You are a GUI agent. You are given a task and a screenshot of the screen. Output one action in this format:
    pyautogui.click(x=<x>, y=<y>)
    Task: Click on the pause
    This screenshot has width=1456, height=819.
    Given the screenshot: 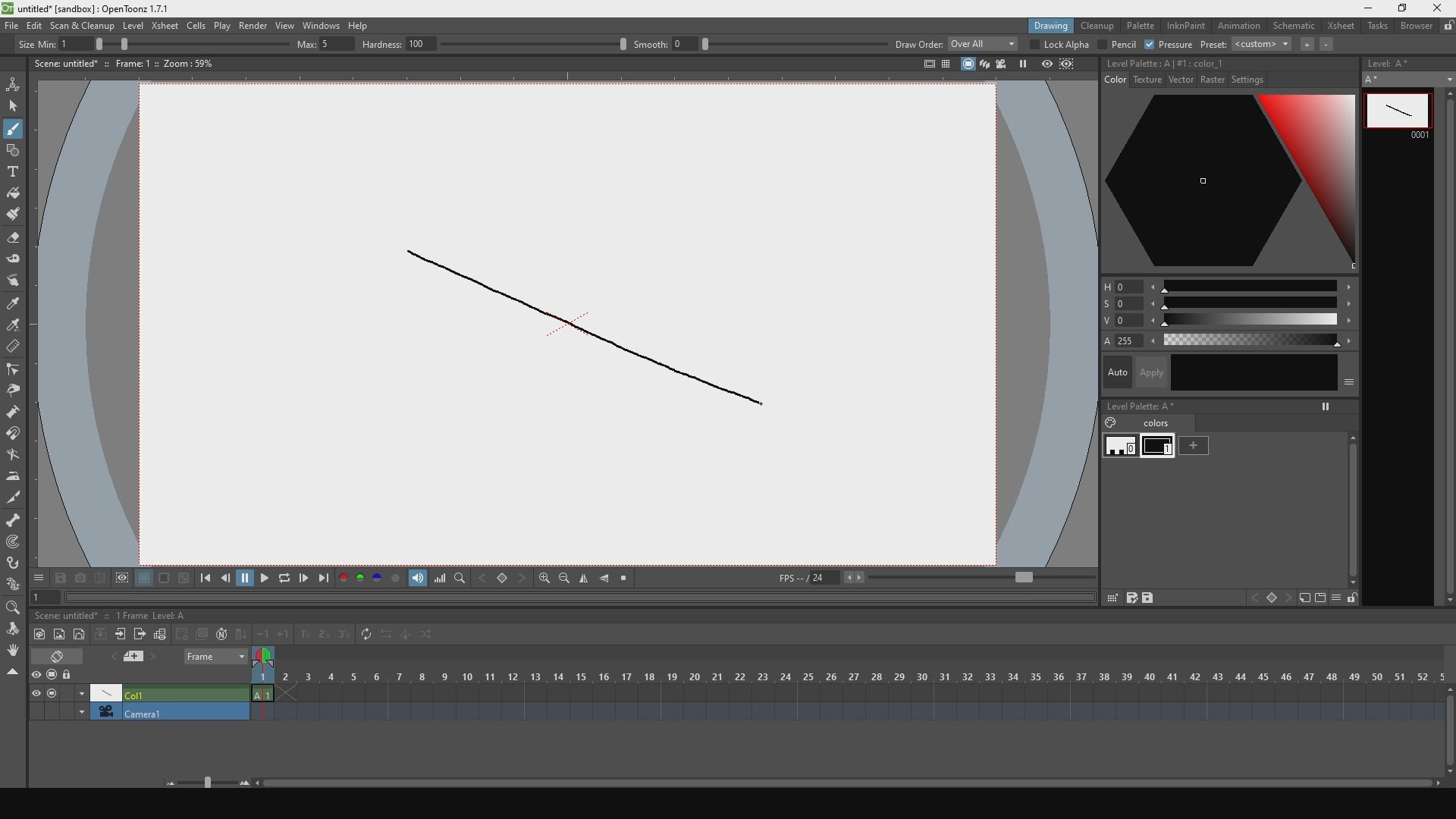 What is the action you would take?
    pyautogui.click(x=245, y=579)
    